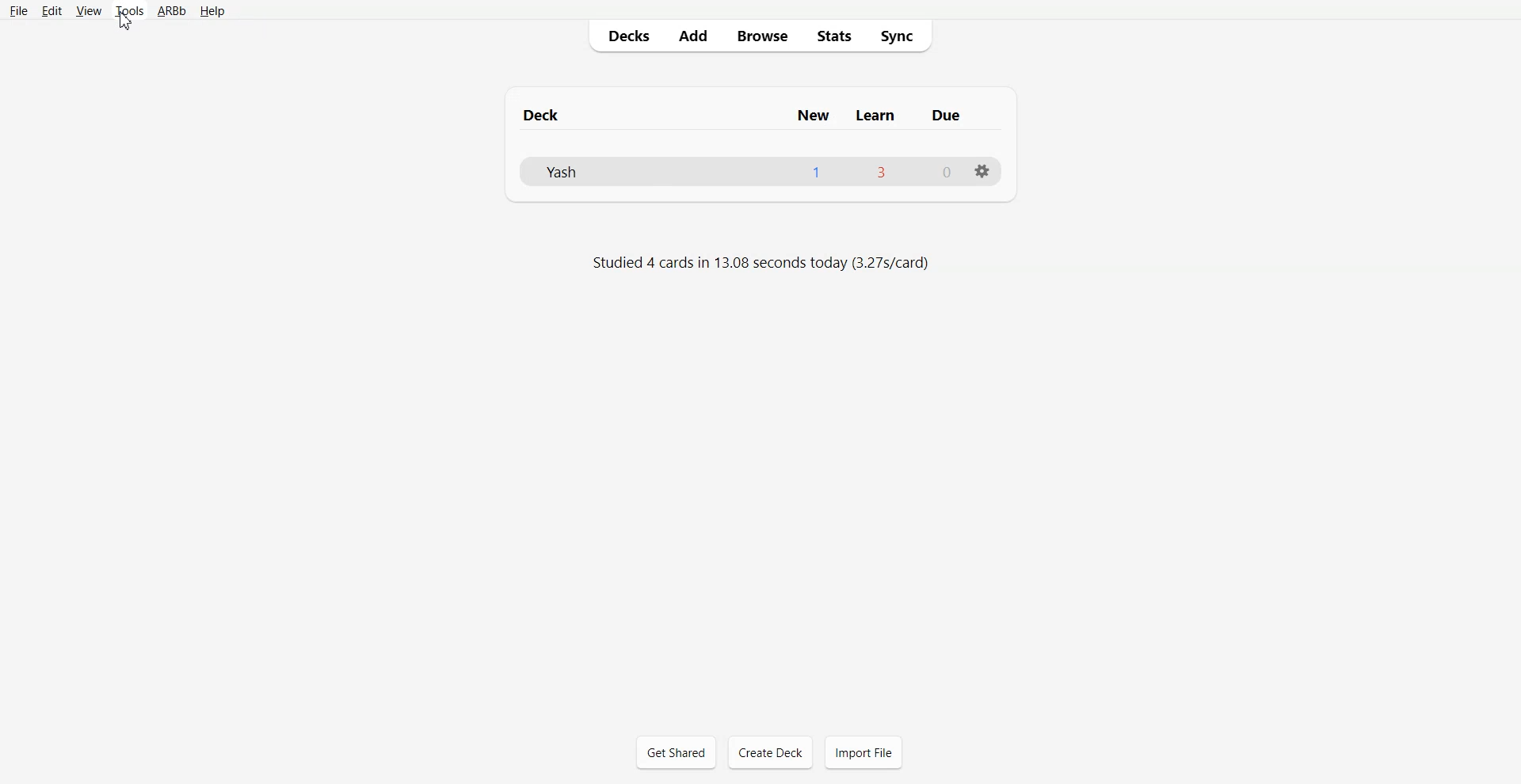 The width and height of the screenshot is (1521, 784). What do you see at coordinates (171, 12) in the screenshot?
I see `ARBb` at bounding box center [171, 12].